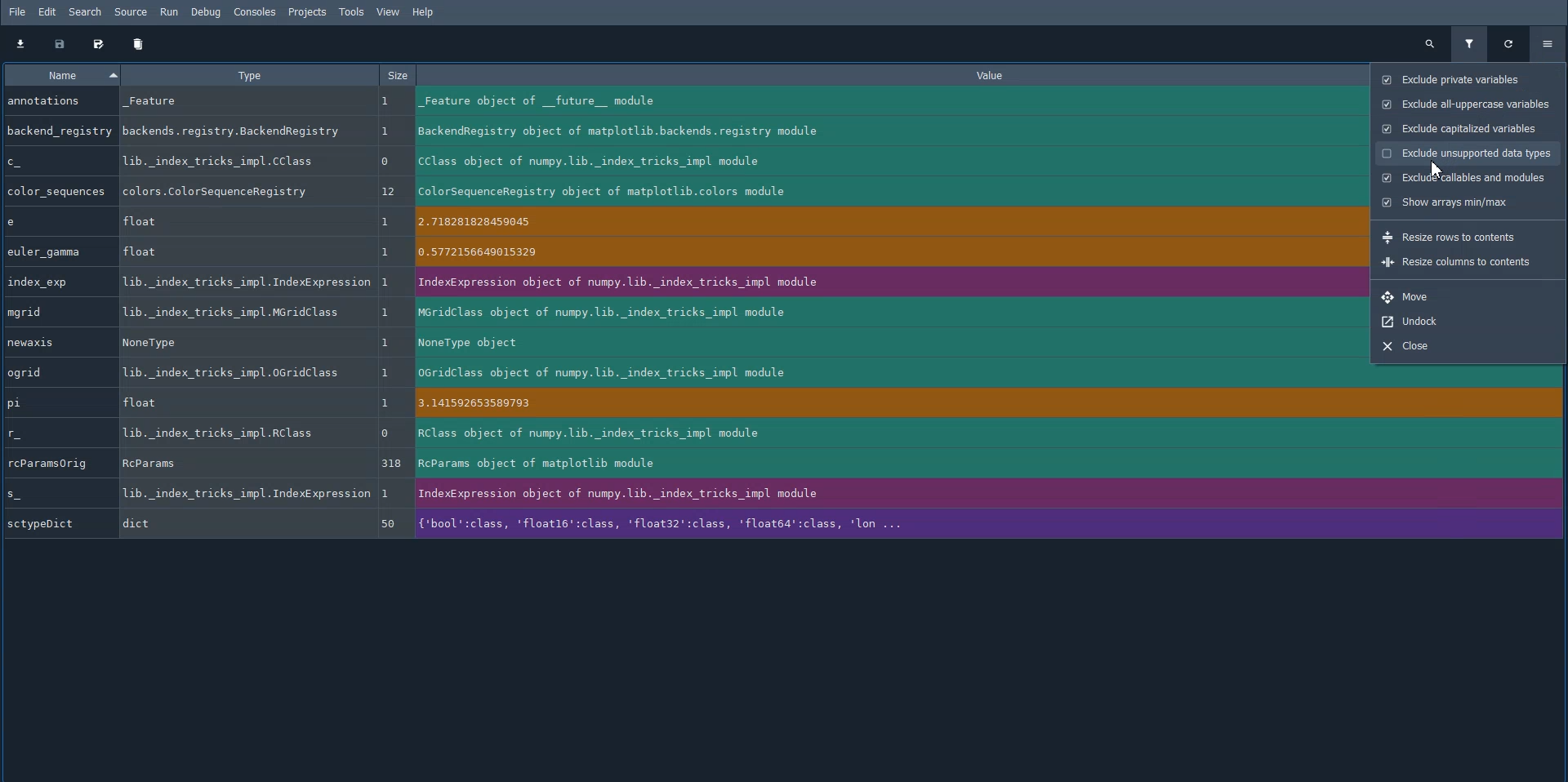 This screenshot has height=782, width=1568. I want to click on float, so click(234, 402).